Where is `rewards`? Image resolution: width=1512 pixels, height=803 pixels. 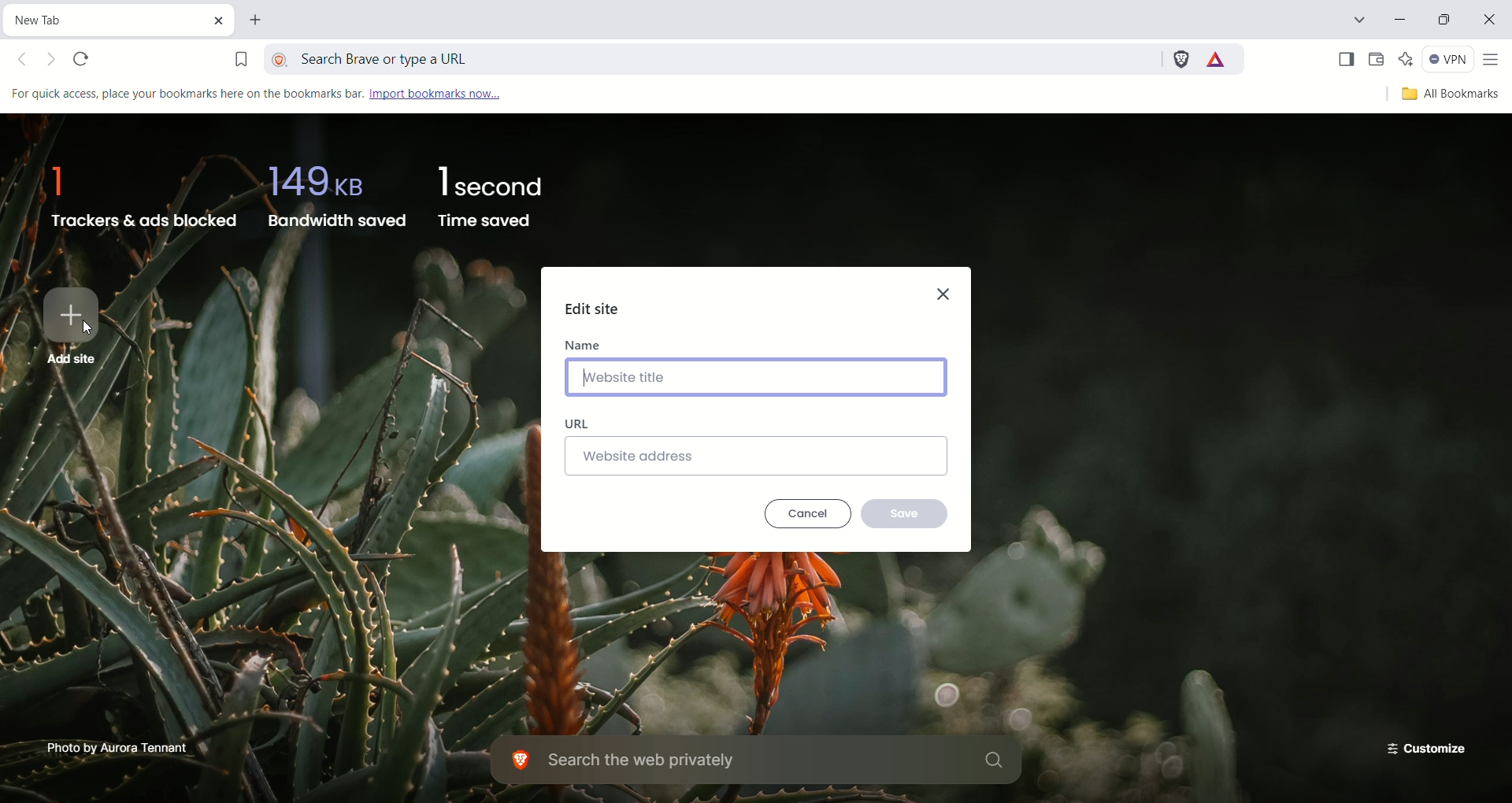
rewards is located at coordinates (1217, 60).